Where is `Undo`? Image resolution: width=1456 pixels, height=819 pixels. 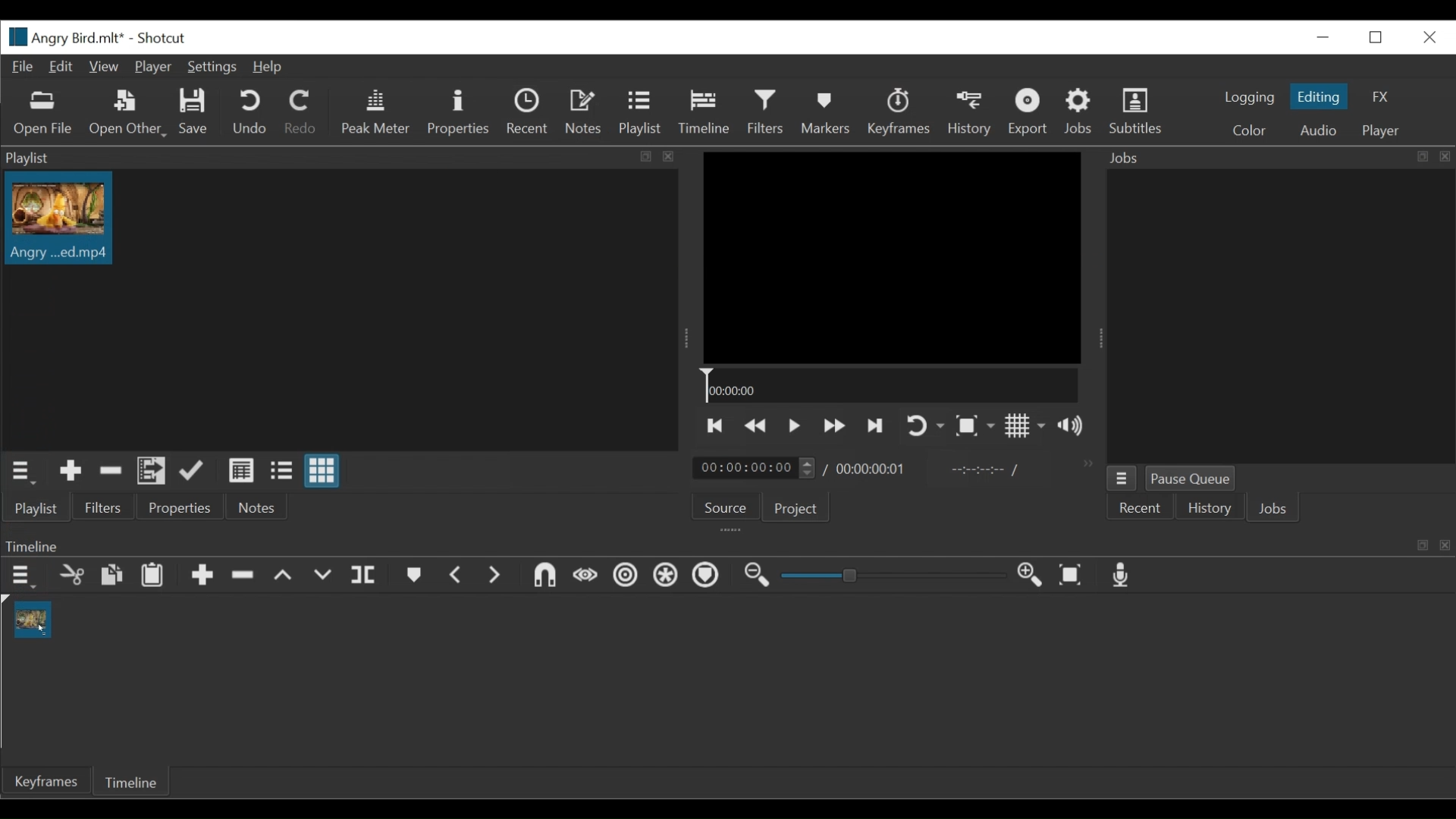
Undo is located at coordinates (249, 112).